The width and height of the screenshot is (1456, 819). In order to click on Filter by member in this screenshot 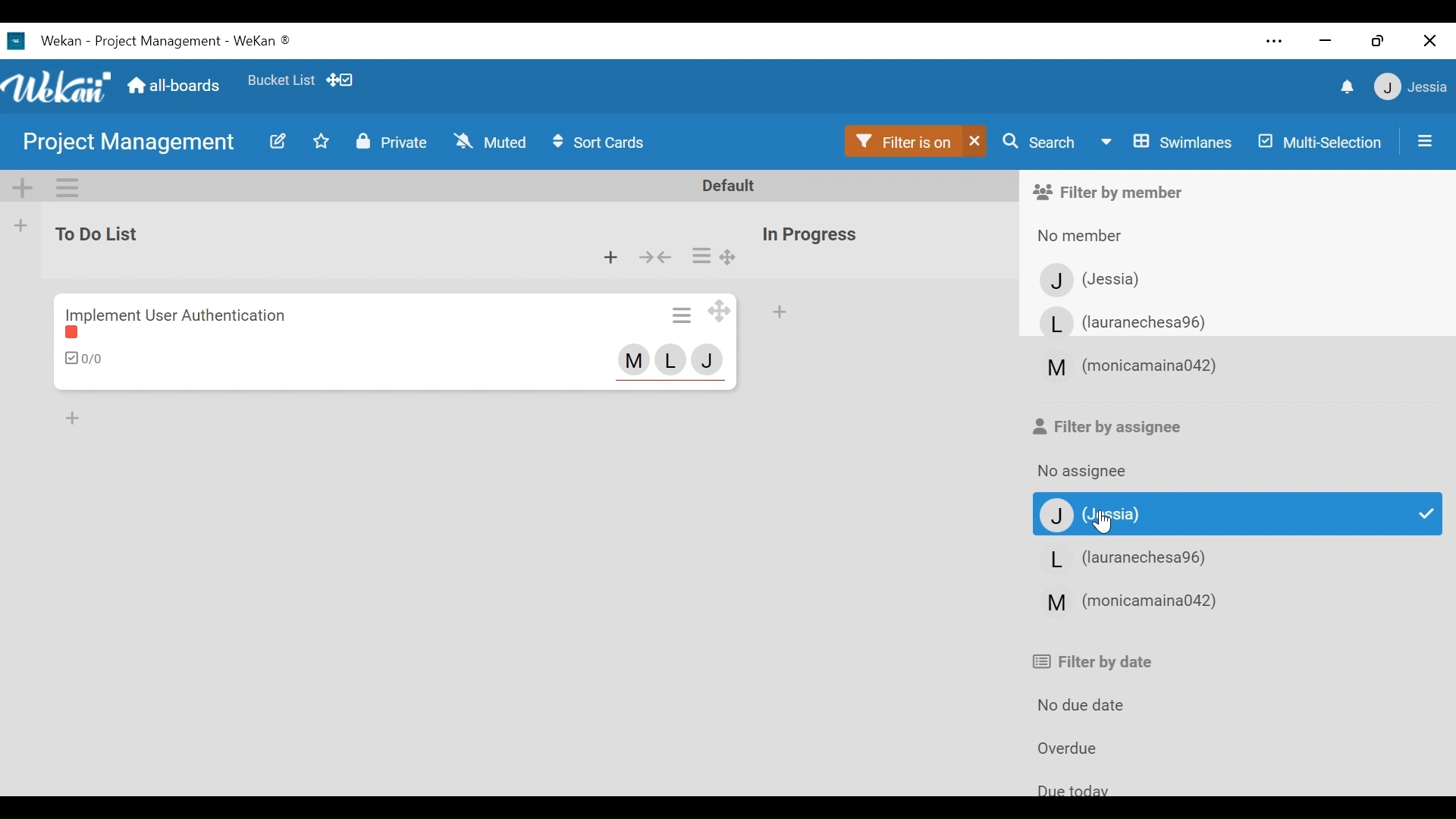, I will do `click(1111, 193)`.